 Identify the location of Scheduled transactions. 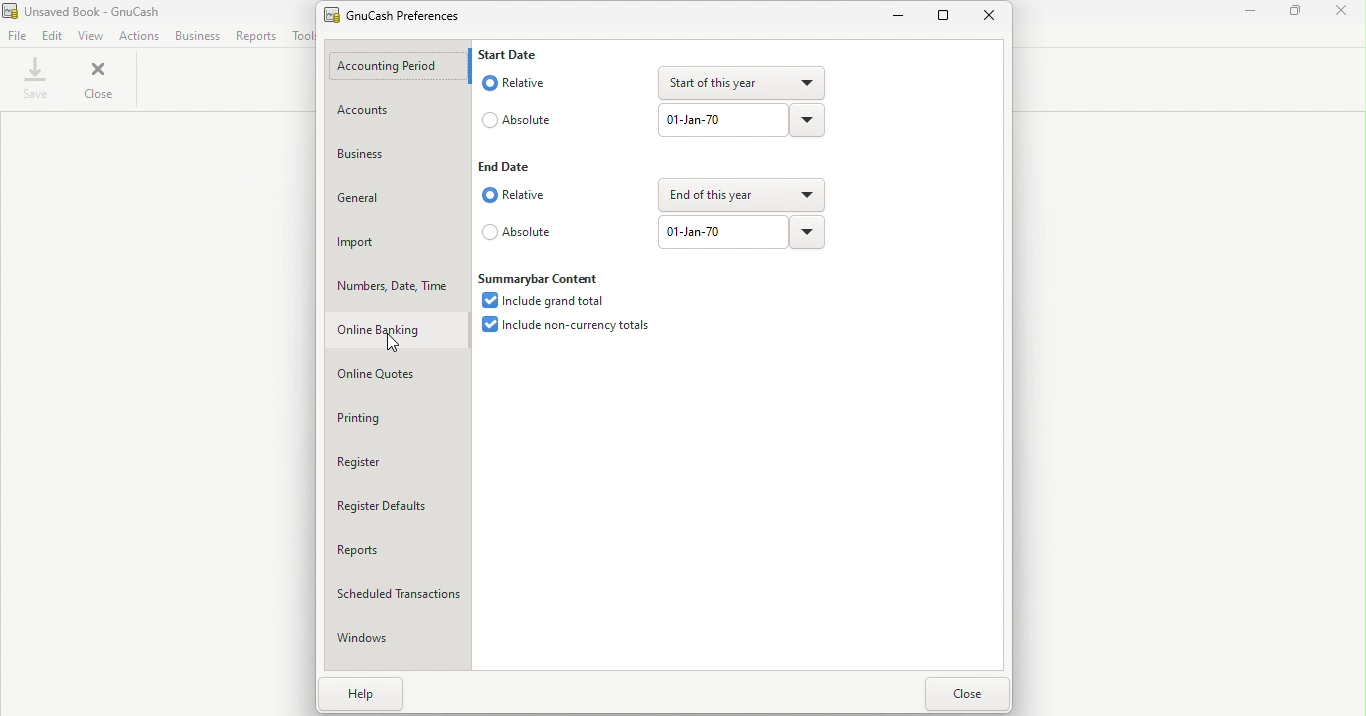
(400, 594).